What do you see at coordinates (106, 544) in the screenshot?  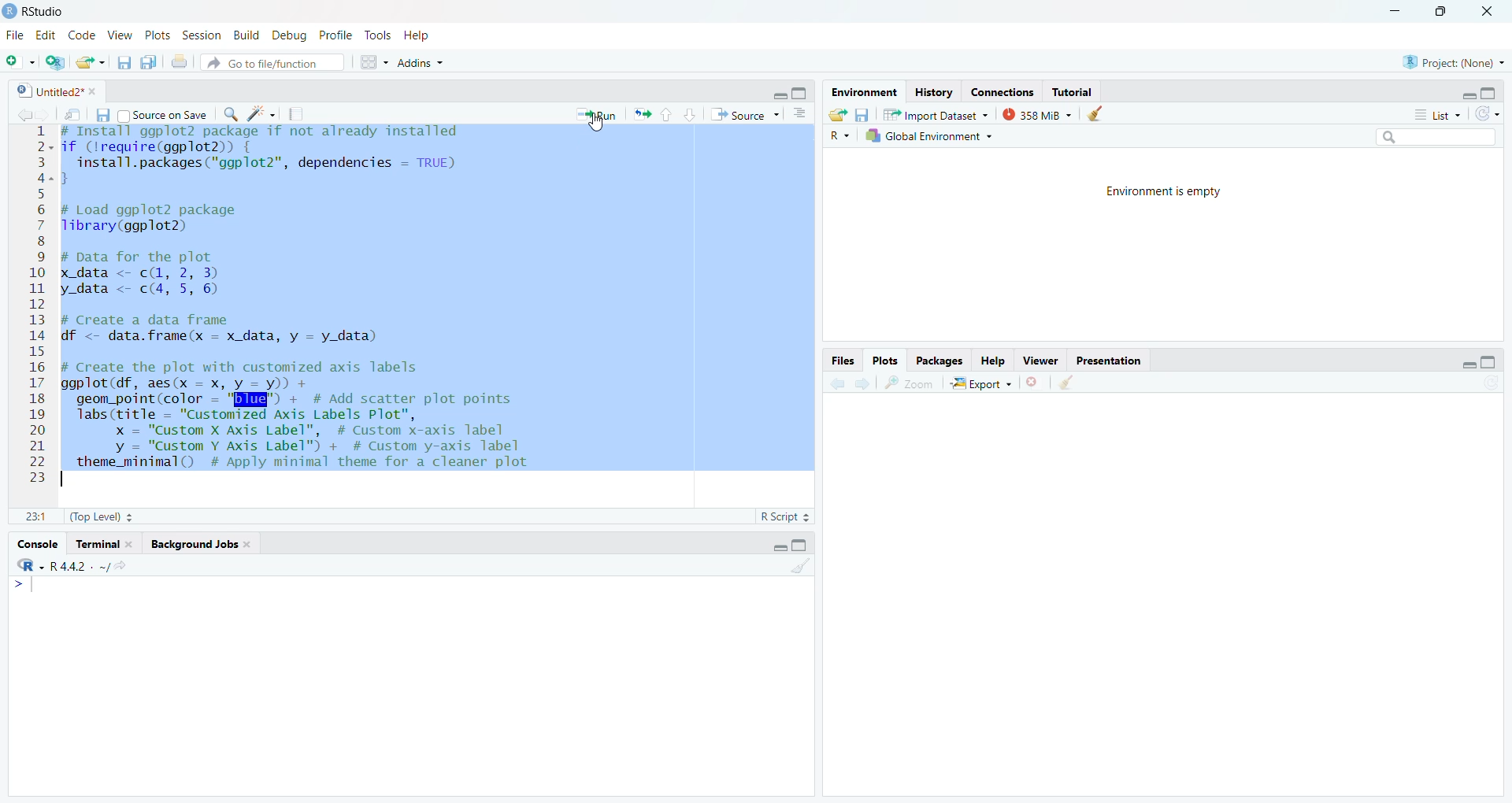 I see `Terminal` at bounding box center [106, 544].